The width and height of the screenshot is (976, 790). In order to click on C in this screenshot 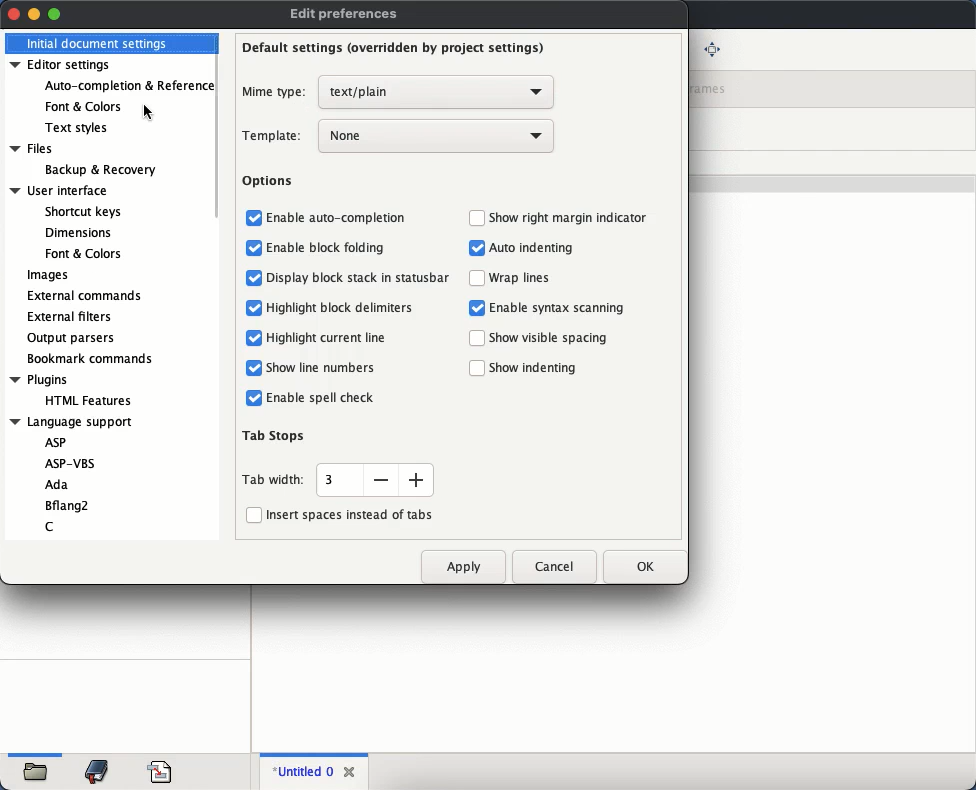, I will do `click(50, 527)`.